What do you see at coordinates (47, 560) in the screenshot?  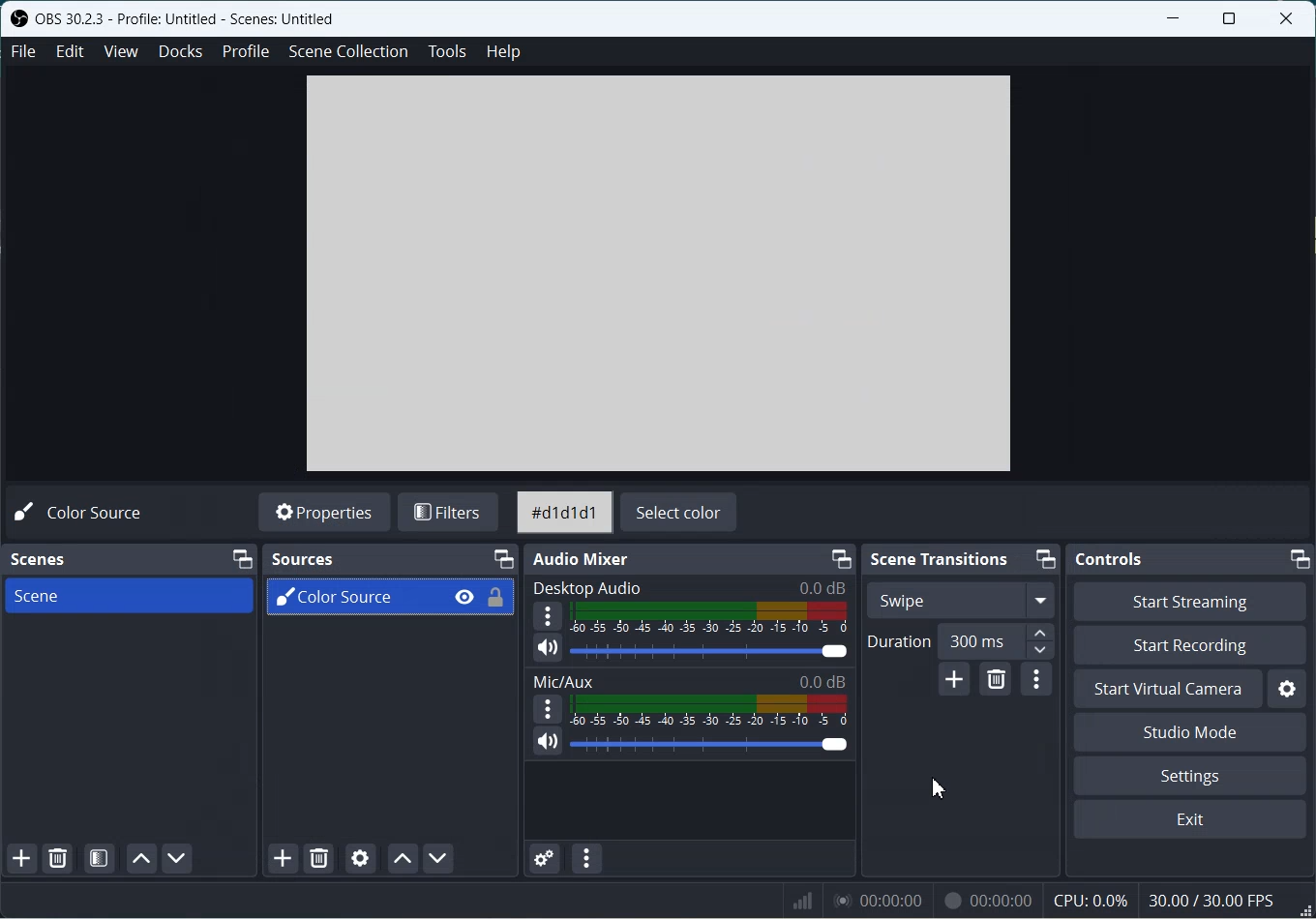 I see `Scenes` at bounding box center [47, 560].